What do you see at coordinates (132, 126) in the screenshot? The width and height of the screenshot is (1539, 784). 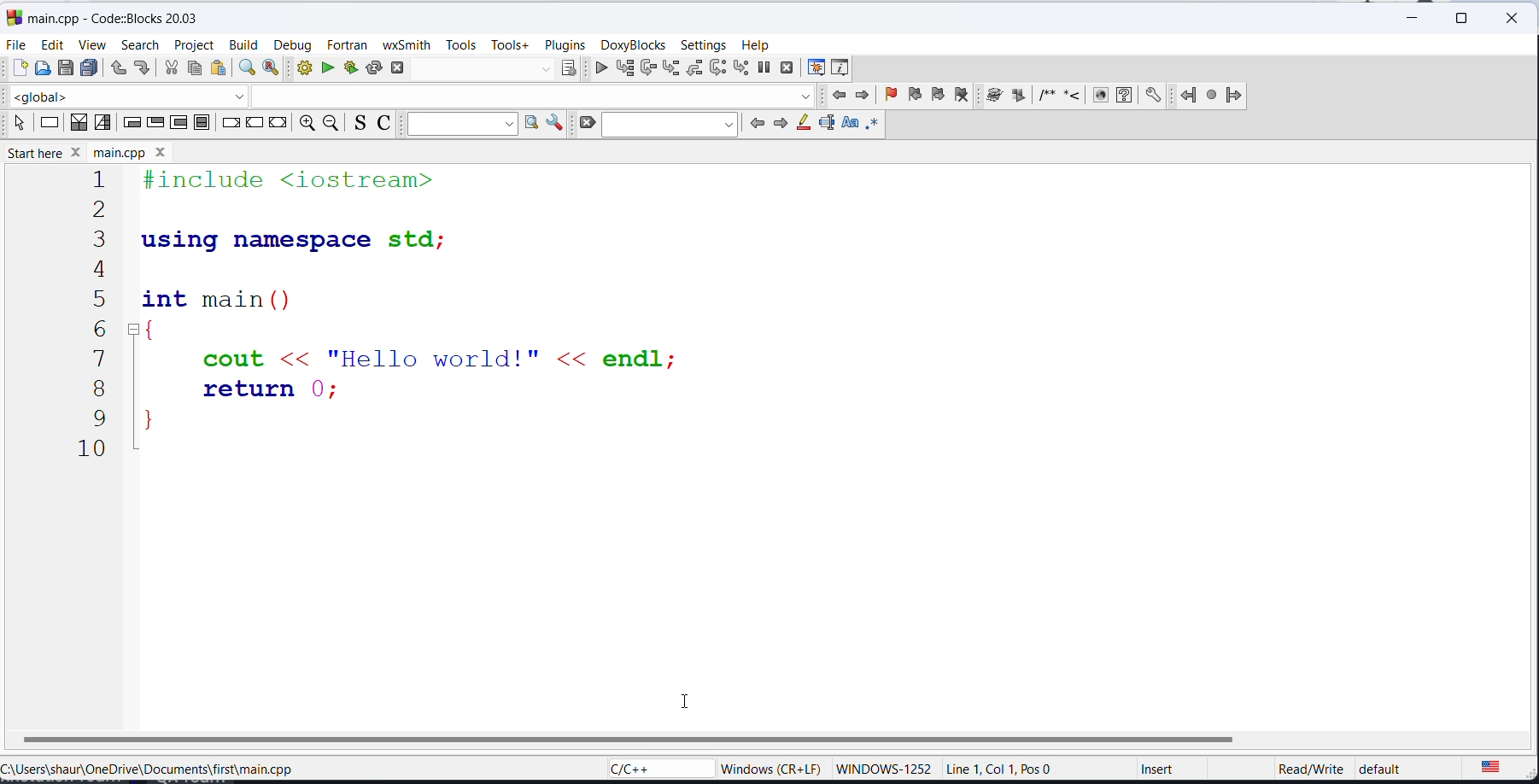 I see `entry condition loop` at bounding box center [132, 126].